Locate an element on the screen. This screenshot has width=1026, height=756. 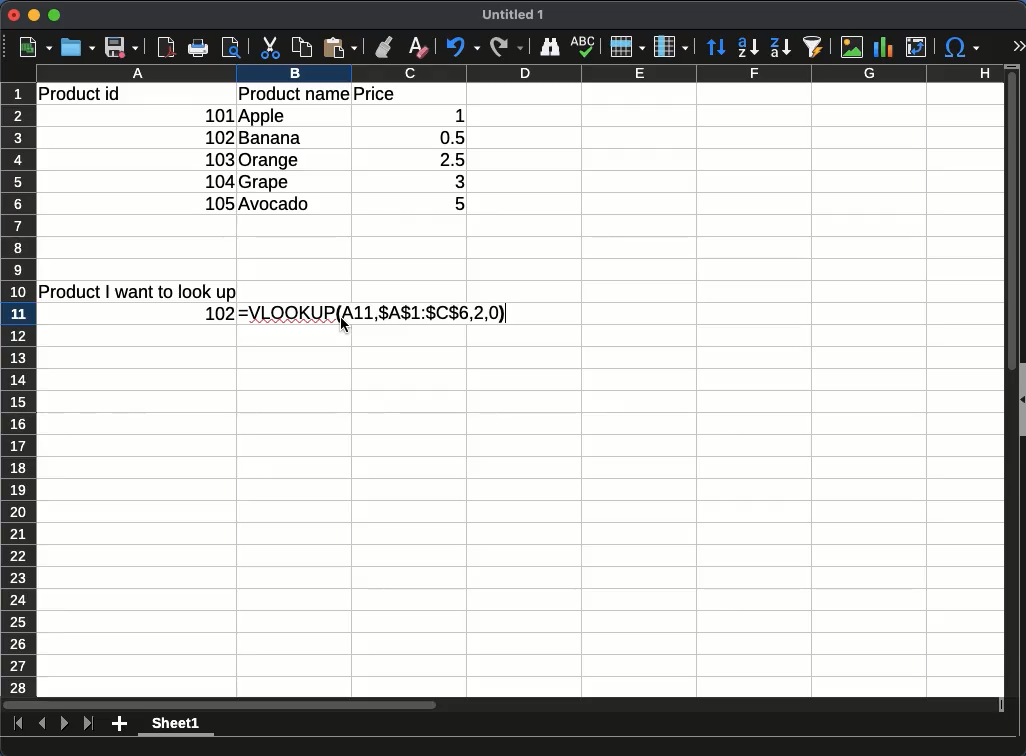
first sheet is located at coordinates (19, 724).